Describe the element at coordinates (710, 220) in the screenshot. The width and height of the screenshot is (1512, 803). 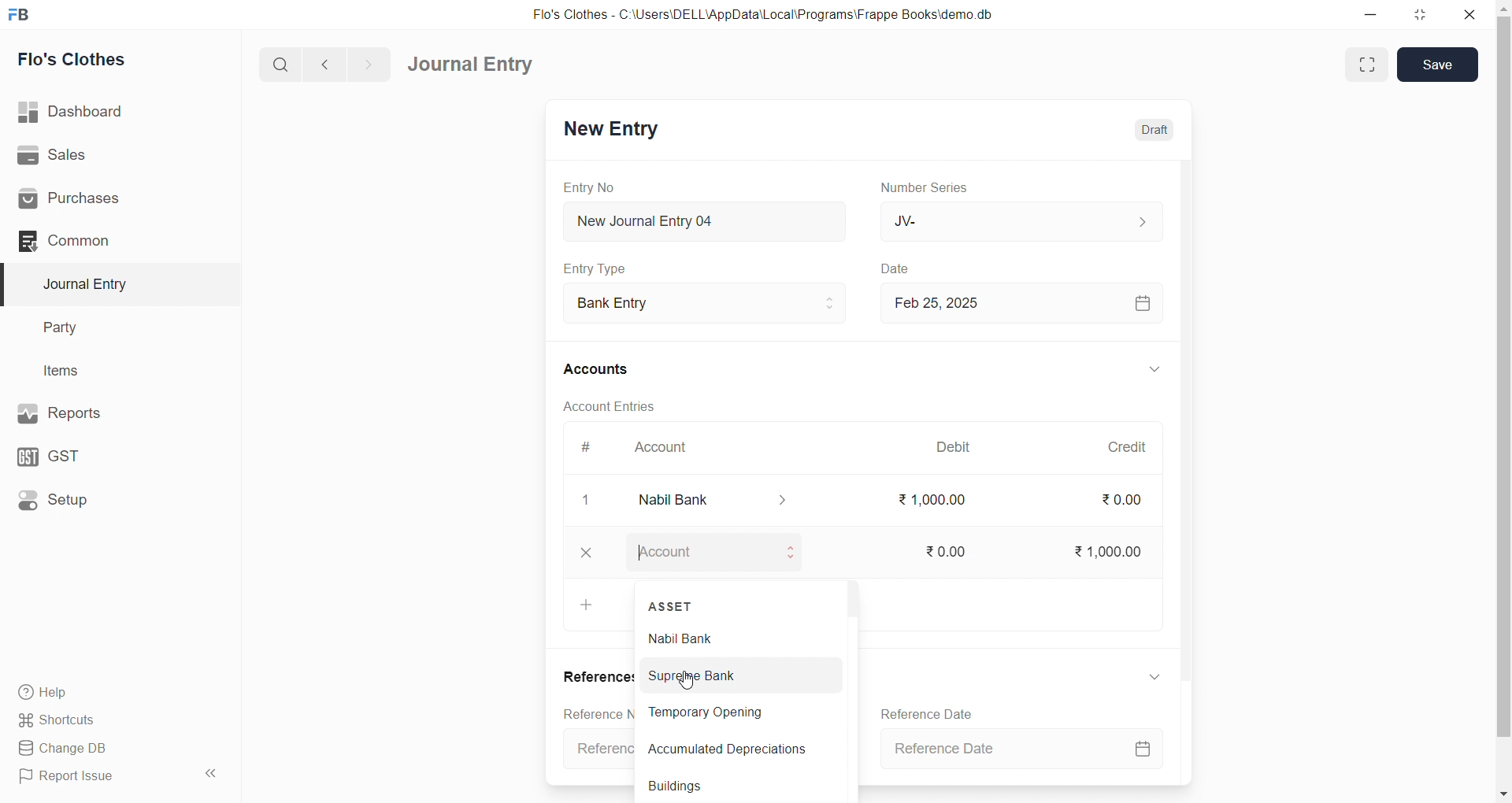
I see `New Journal Entry 04` at that location.